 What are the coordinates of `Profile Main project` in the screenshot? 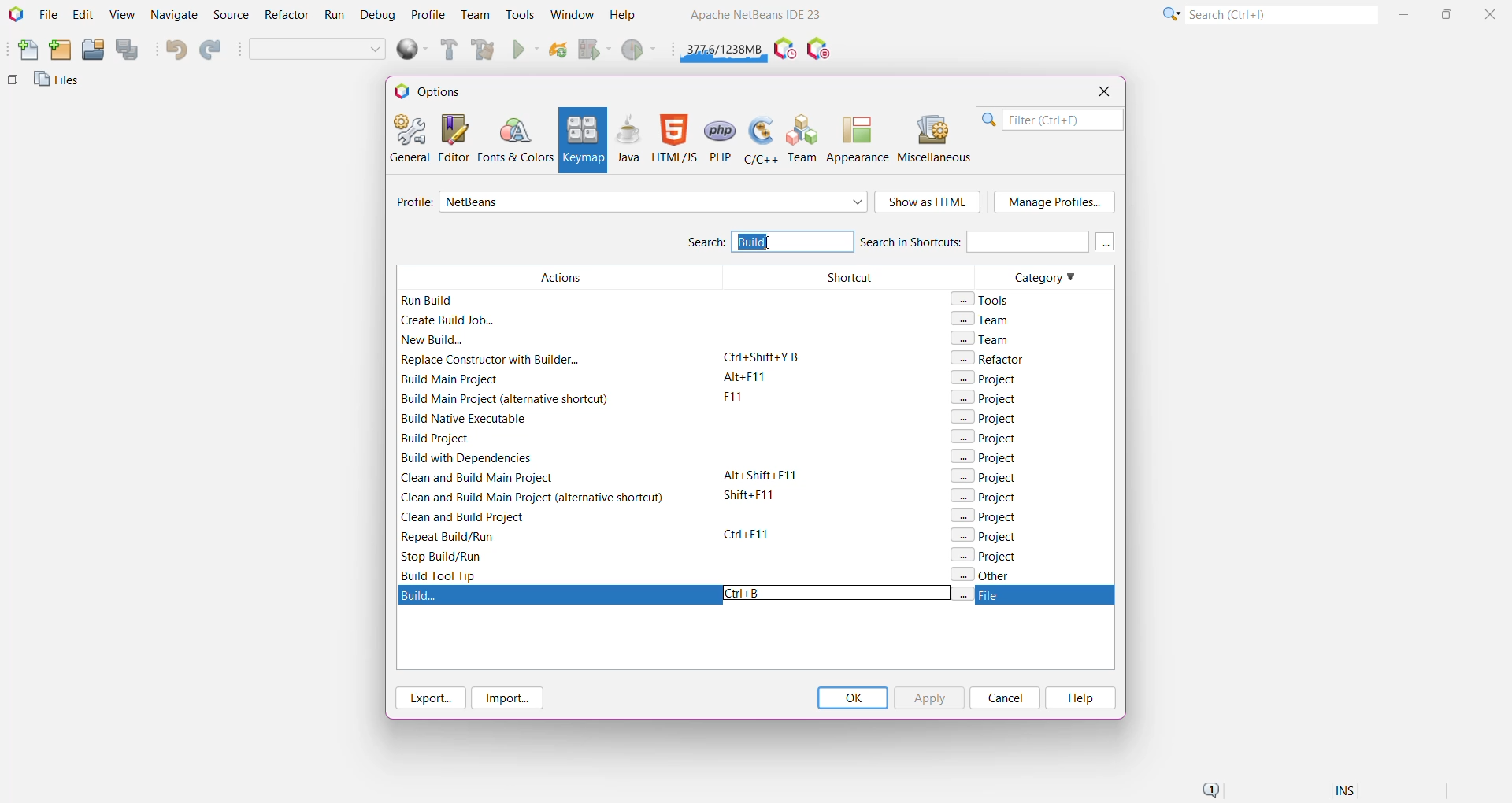 It's located at (640, 51).